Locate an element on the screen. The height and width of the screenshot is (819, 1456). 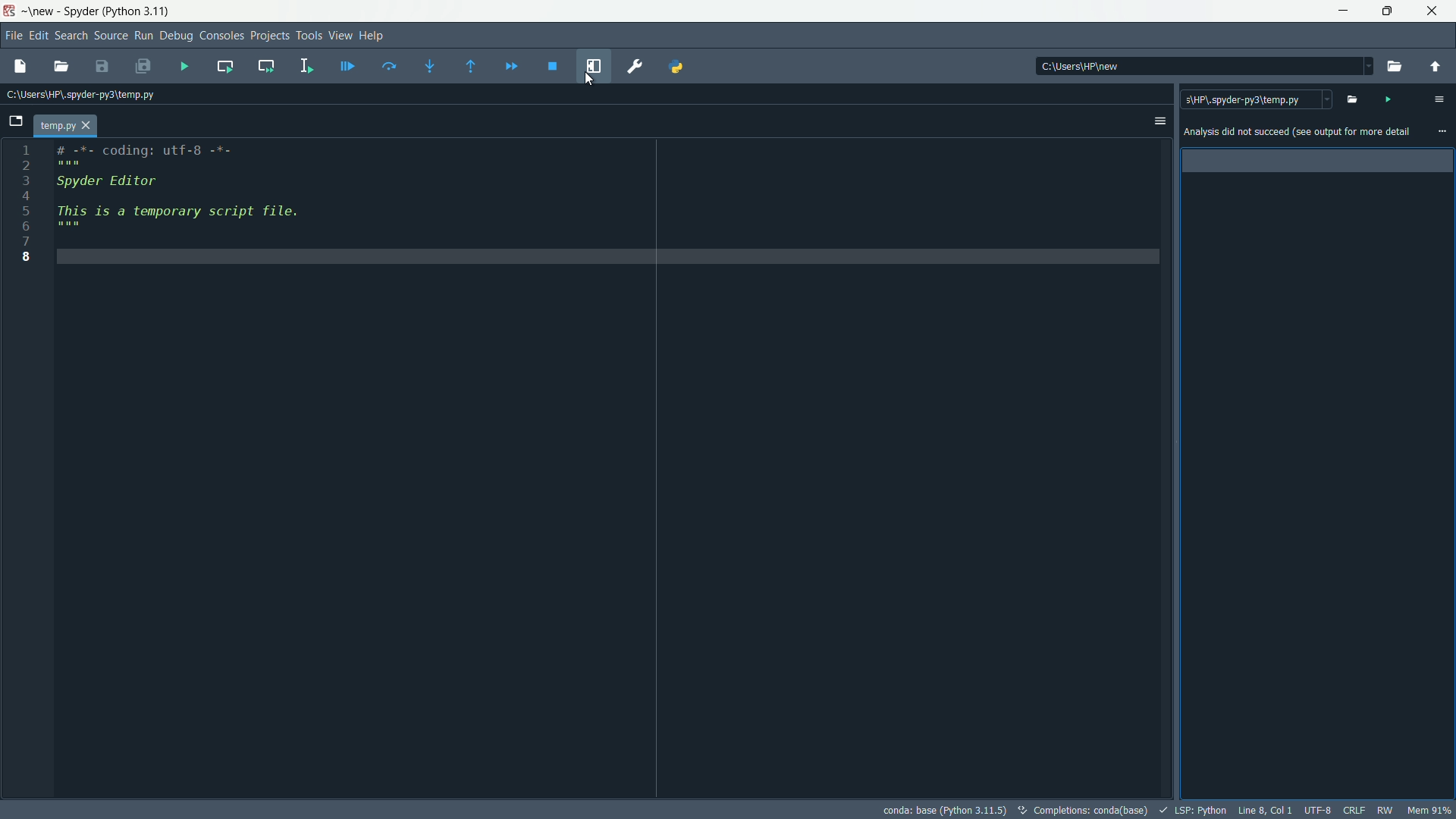
| C:\Users\HP\new is located at coordinates (1138, 65).